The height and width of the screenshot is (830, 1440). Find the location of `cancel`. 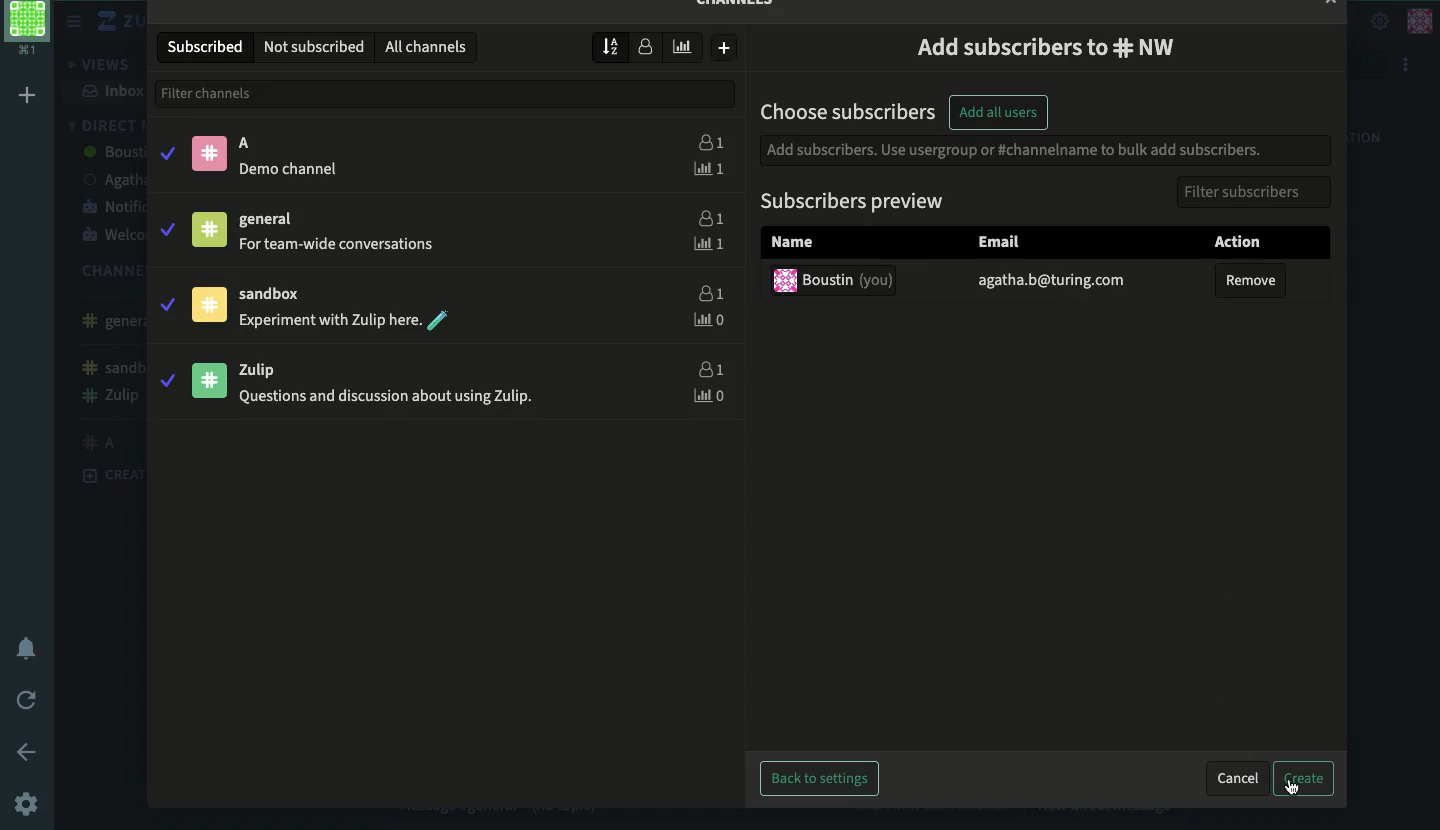

cancel is located at coordinates (1241, 781).